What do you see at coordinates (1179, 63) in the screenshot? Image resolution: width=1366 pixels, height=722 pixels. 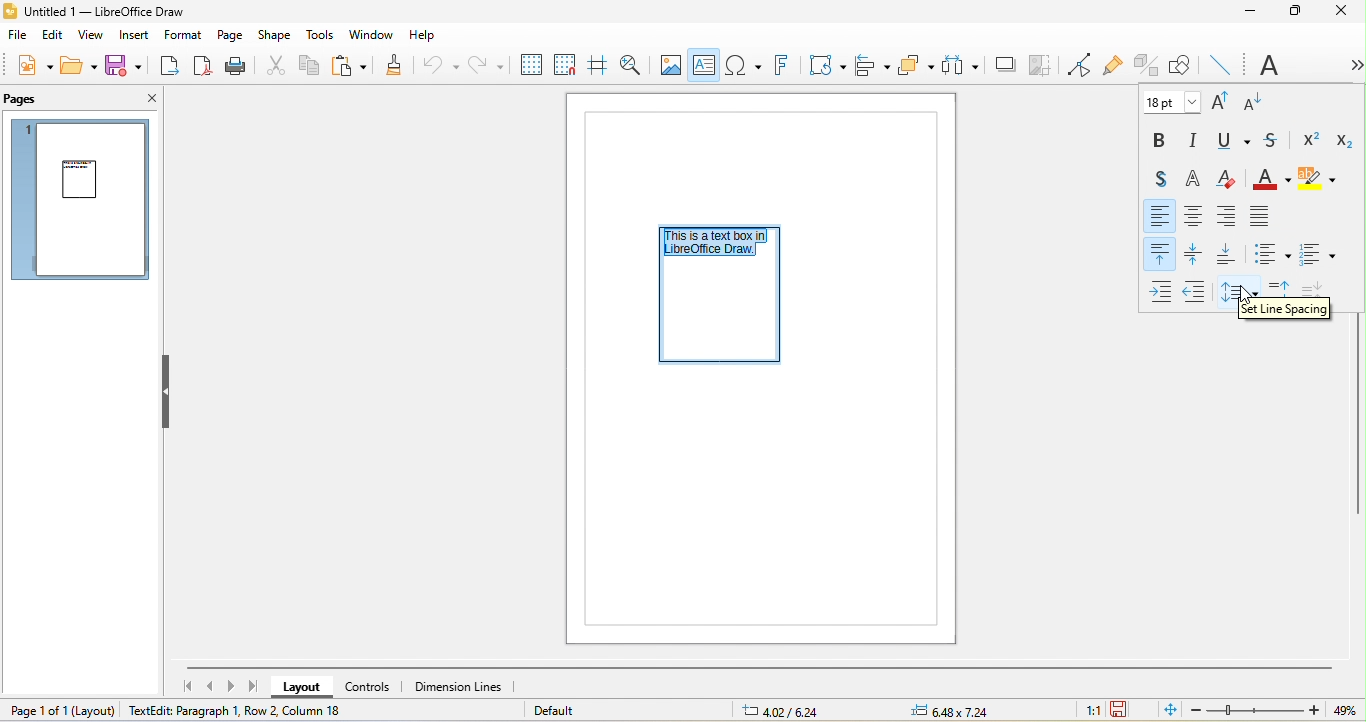 I see `show draw function` at bounding box center [1179, 63].